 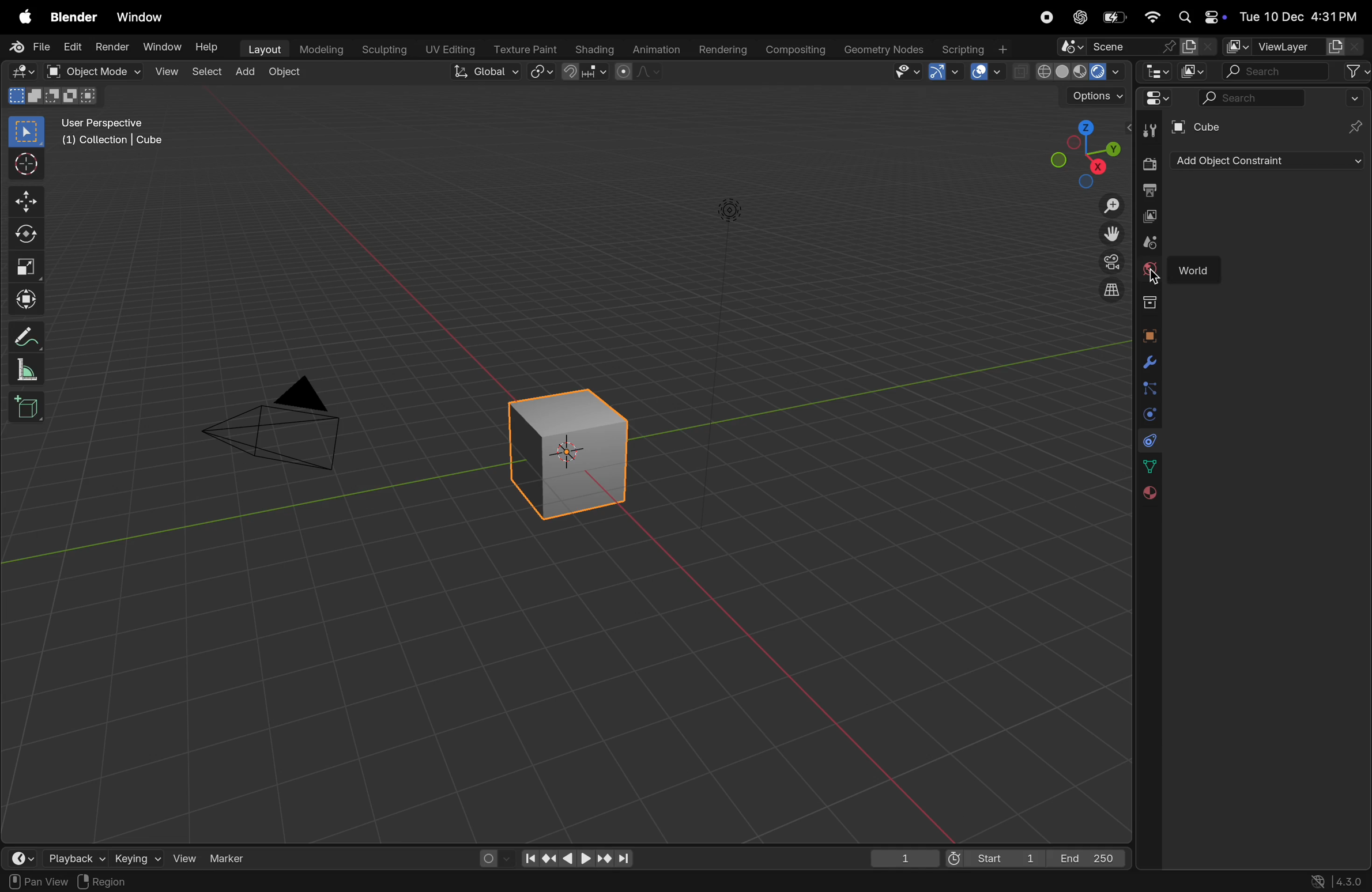 What do you see at coordinates (592, 49) in the screenshot?
I see `Shading` at bounding box center [592, 49].